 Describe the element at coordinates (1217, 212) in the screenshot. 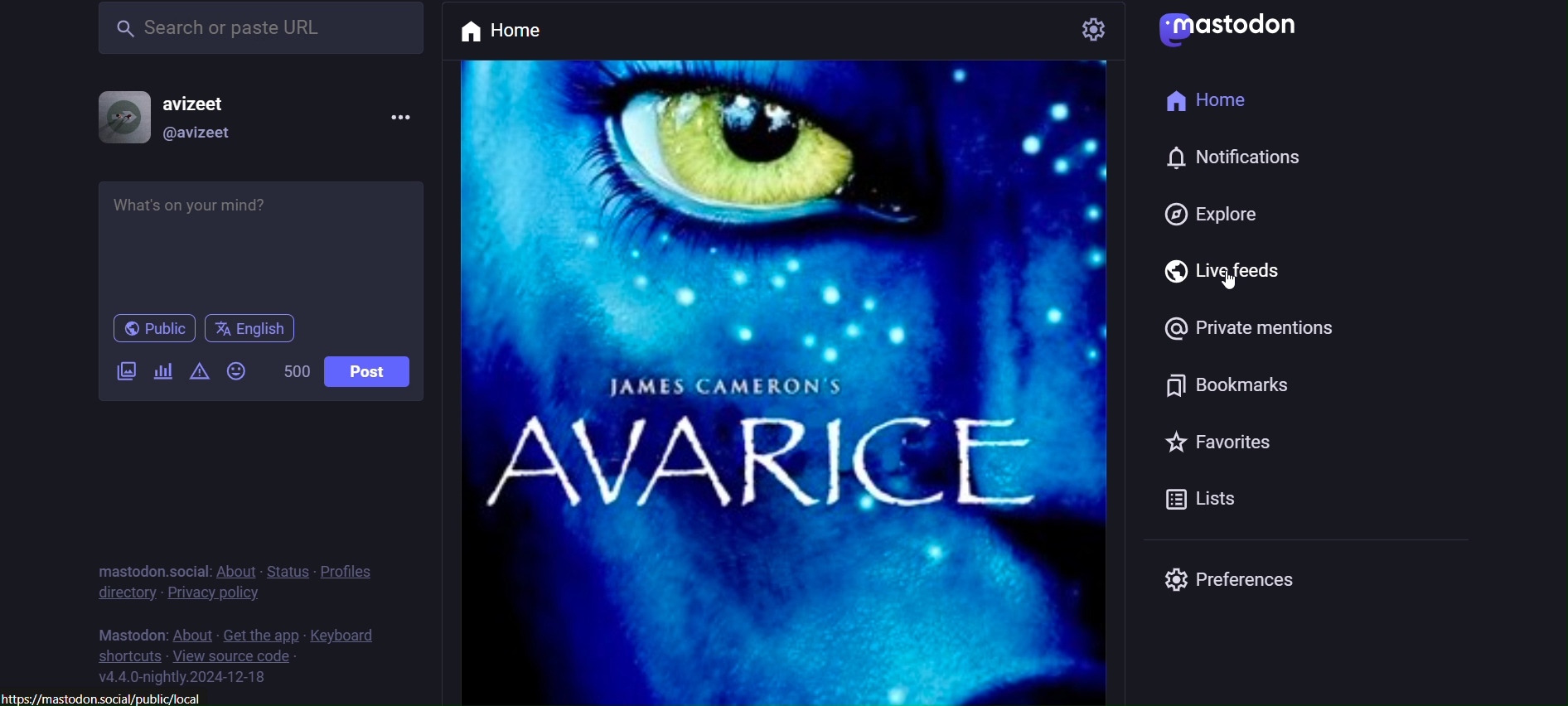

I see `explore` at that location.